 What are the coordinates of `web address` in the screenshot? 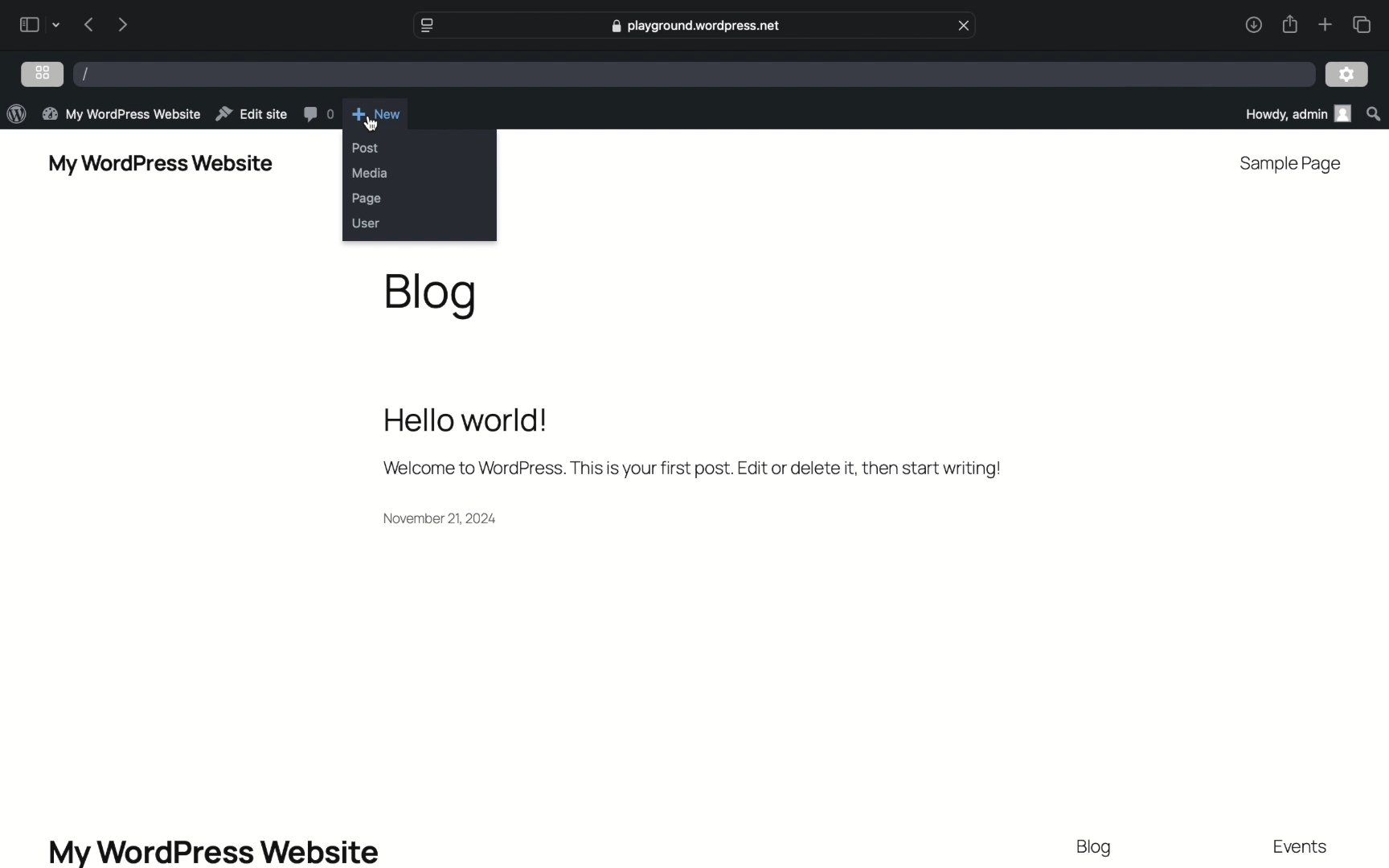 It's located at (695, 26).